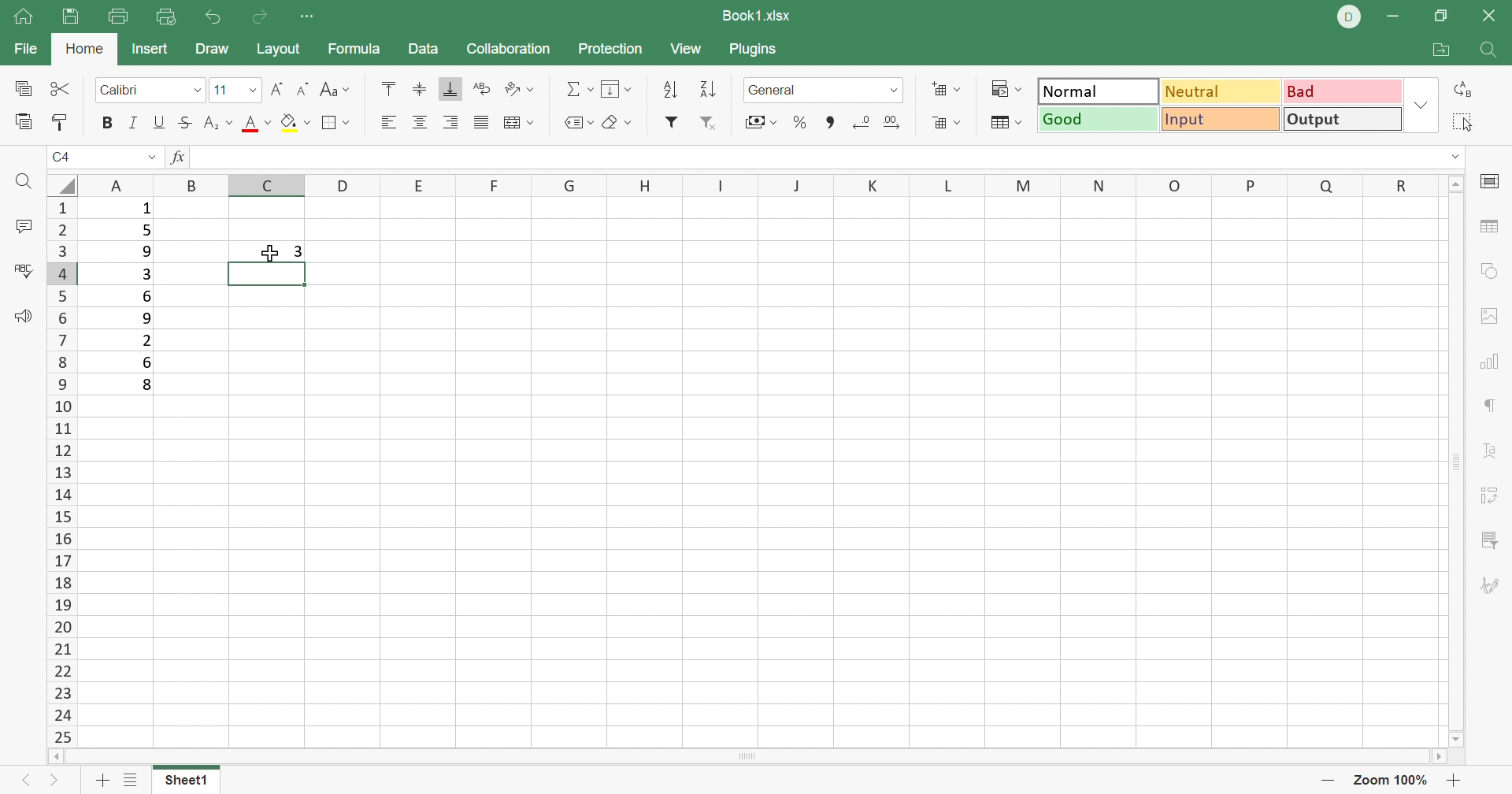 This screenshot has width=1512, height=794. I want to click on Accounting style, so click(759, 121).